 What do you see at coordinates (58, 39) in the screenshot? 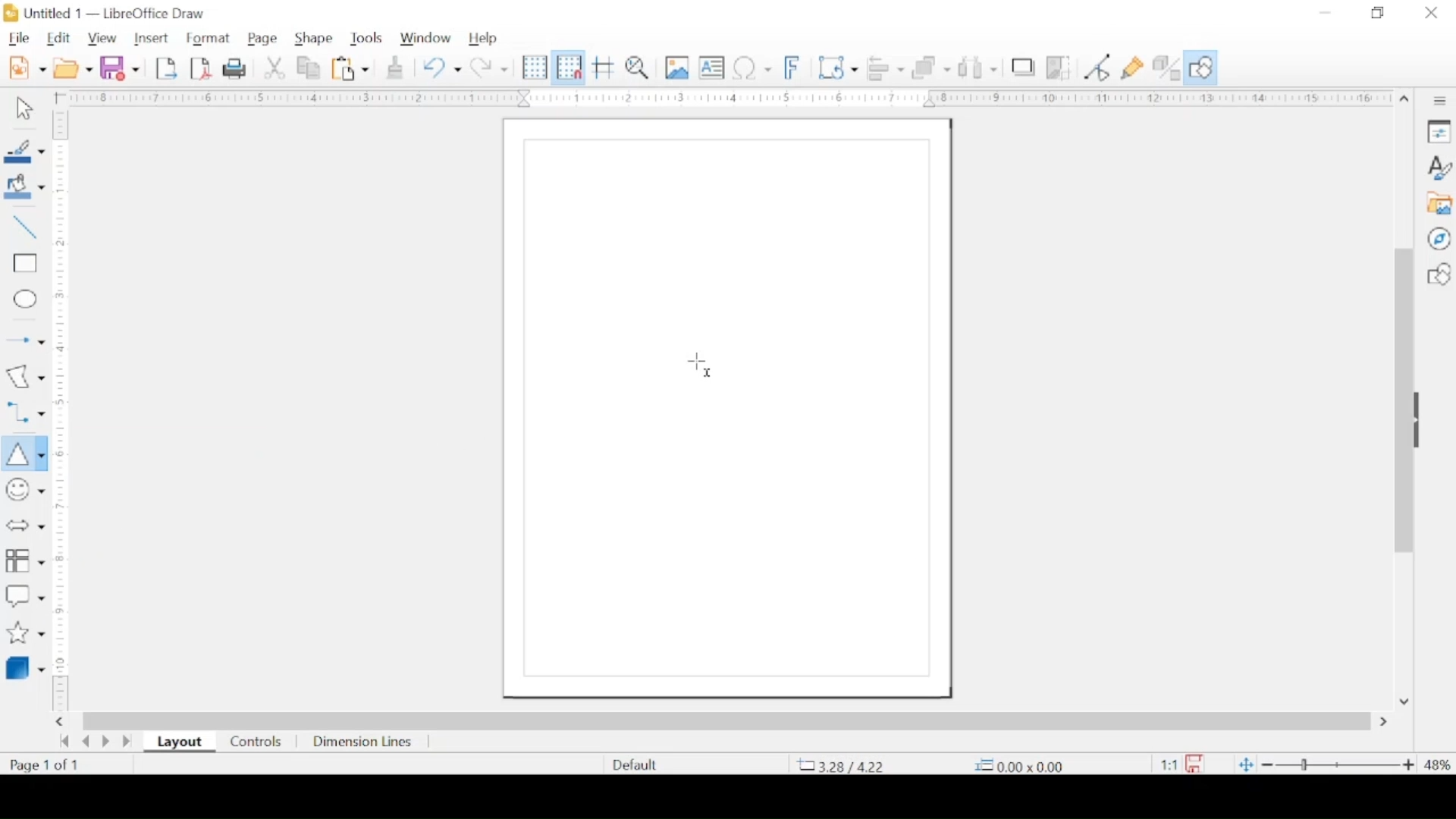
I see `edit` at bounding box center [58, 39].